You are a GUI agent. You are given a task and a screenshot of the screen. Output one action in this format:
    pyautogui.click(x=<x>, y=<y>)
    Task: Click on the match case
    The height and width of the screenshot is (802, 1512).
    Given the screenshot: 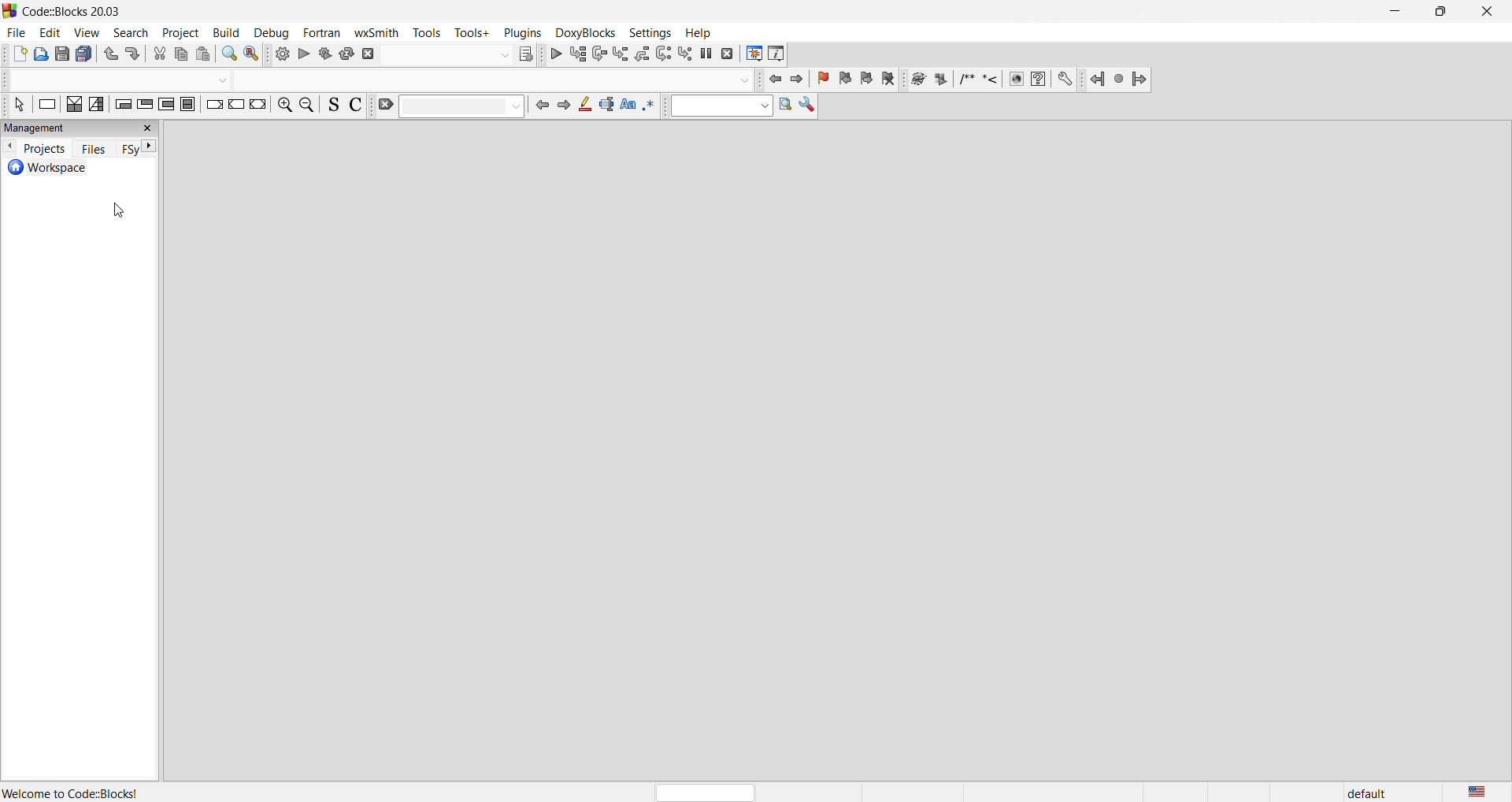 What is the action you would take?
    pyautogui.click(x=628, y=105)
    